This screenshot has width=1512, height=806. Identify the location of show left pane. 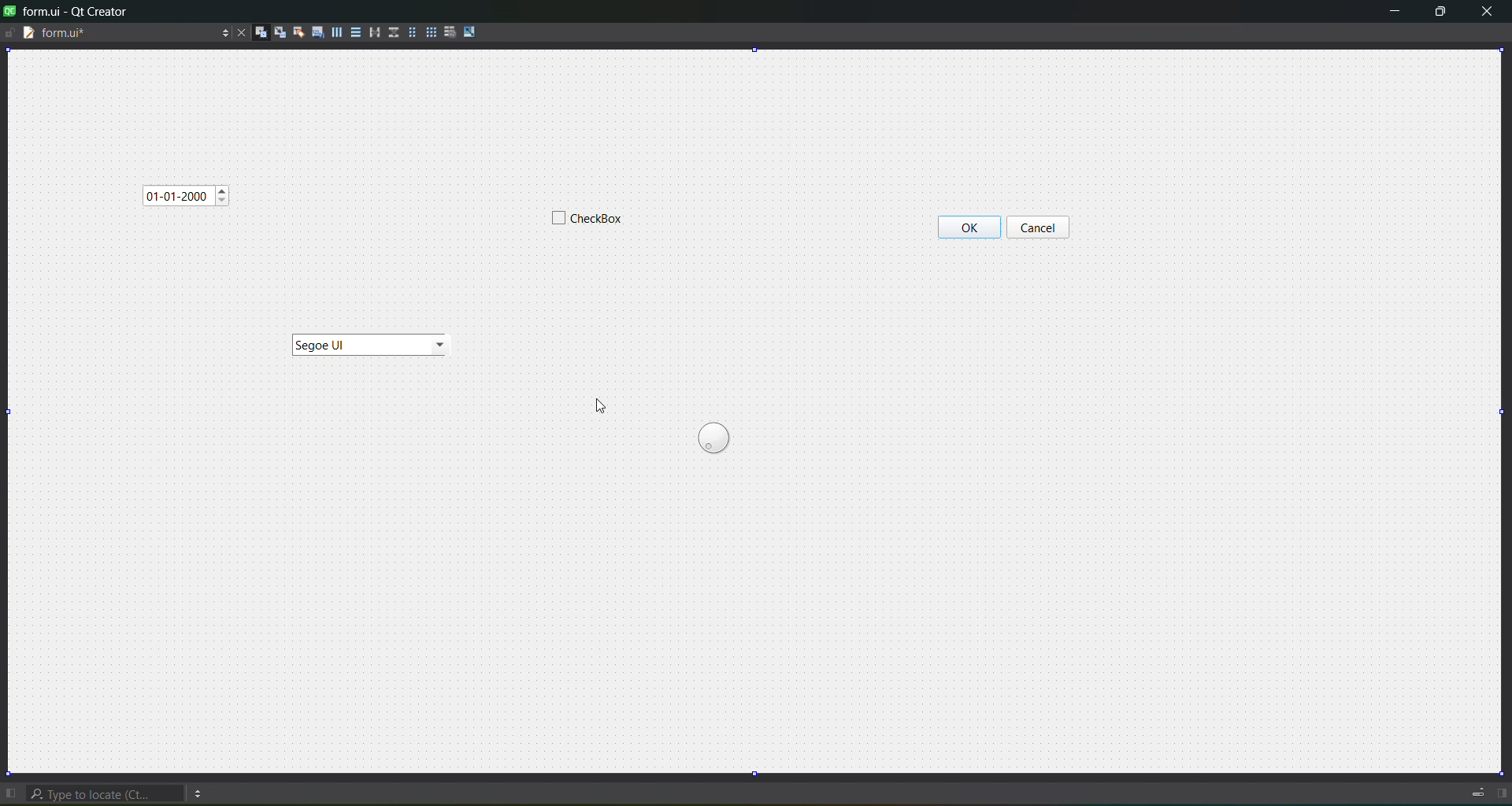
(10, 789).